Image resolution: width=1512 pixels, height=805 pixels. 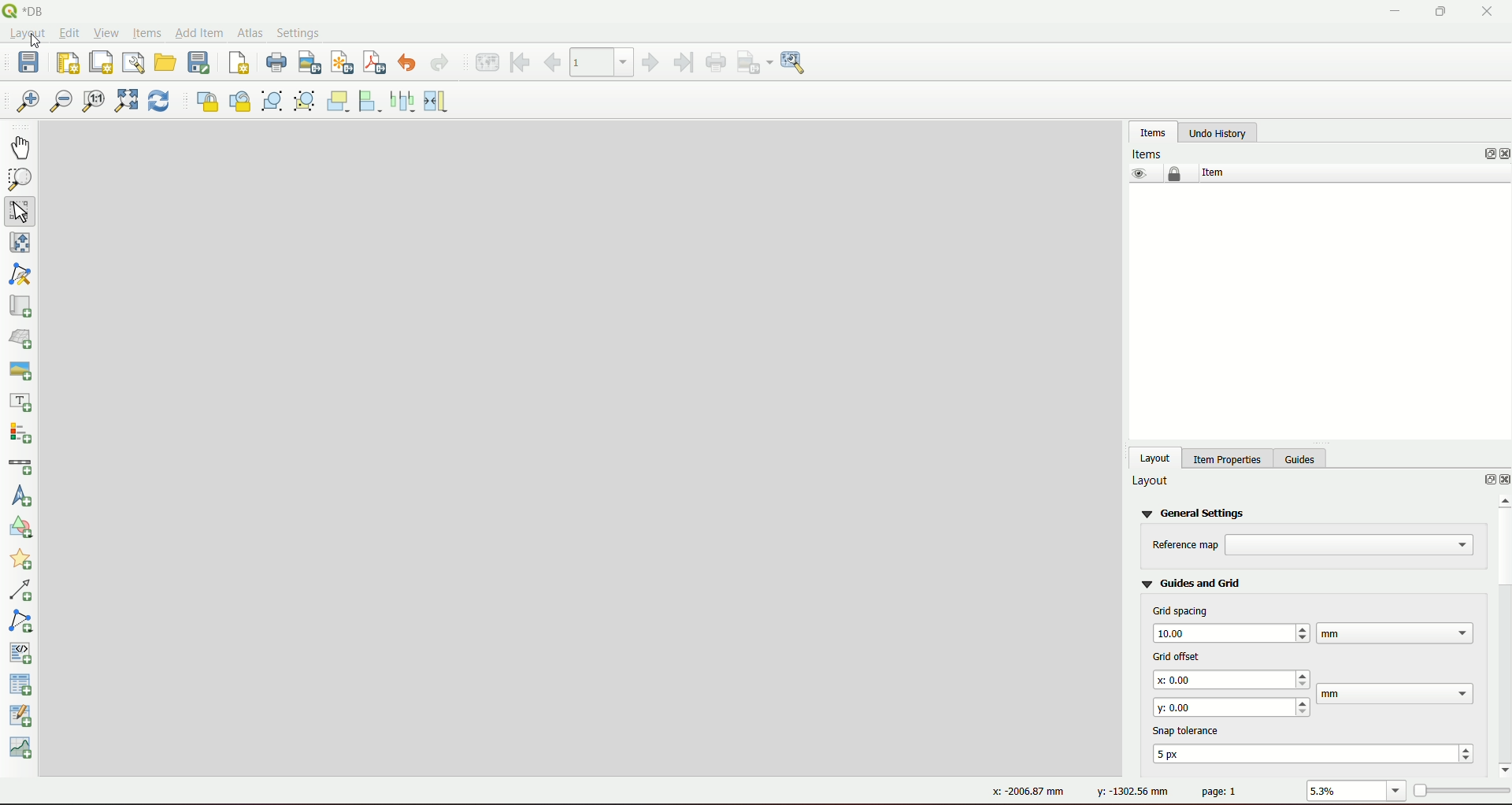 What do you see at coordinates (24, 562) in the screenshot?
I see `add marker` at bounding box center [24, 562].